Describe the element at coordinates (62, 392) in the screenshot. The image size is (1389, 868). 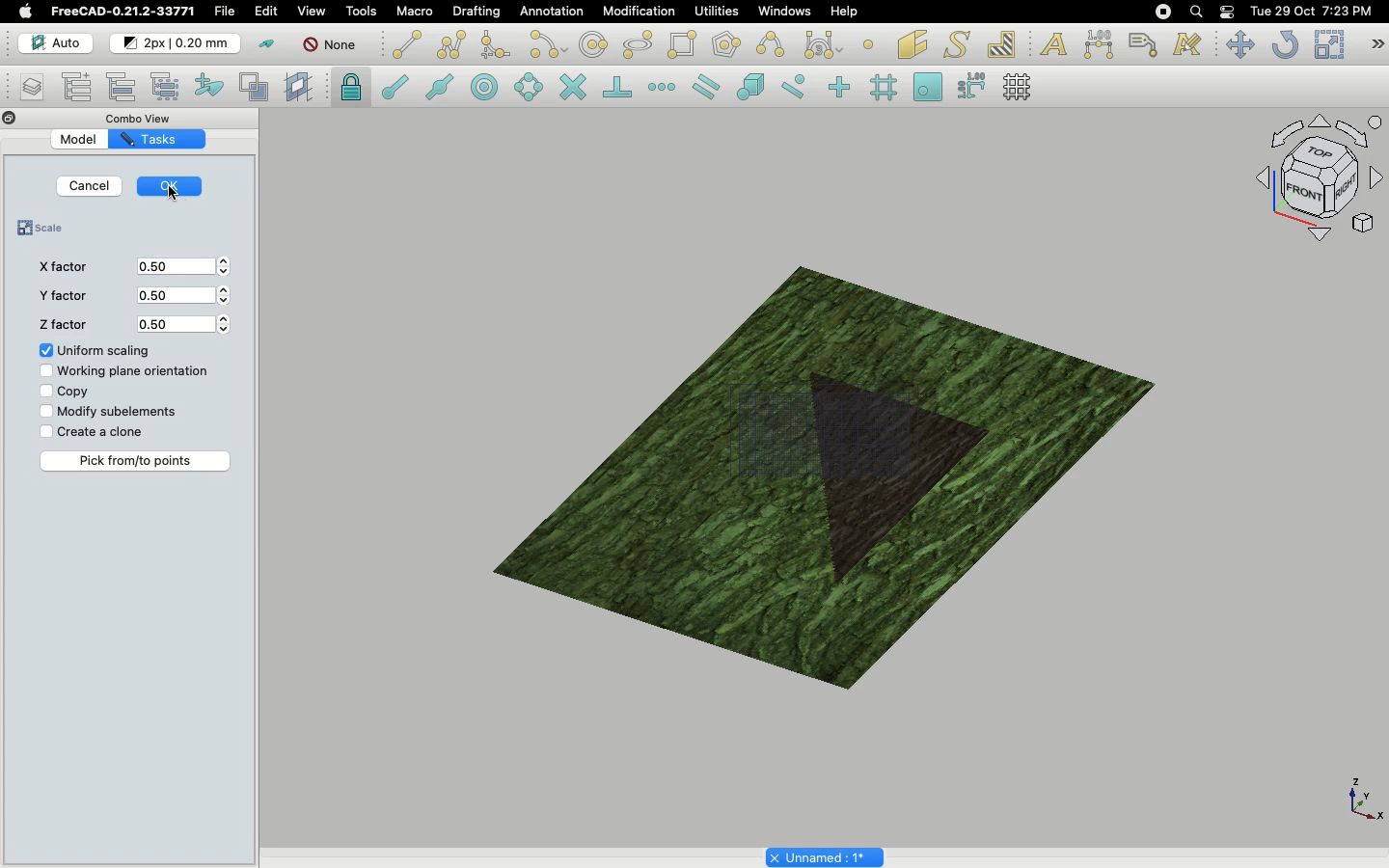
I see `Copy` at that location.